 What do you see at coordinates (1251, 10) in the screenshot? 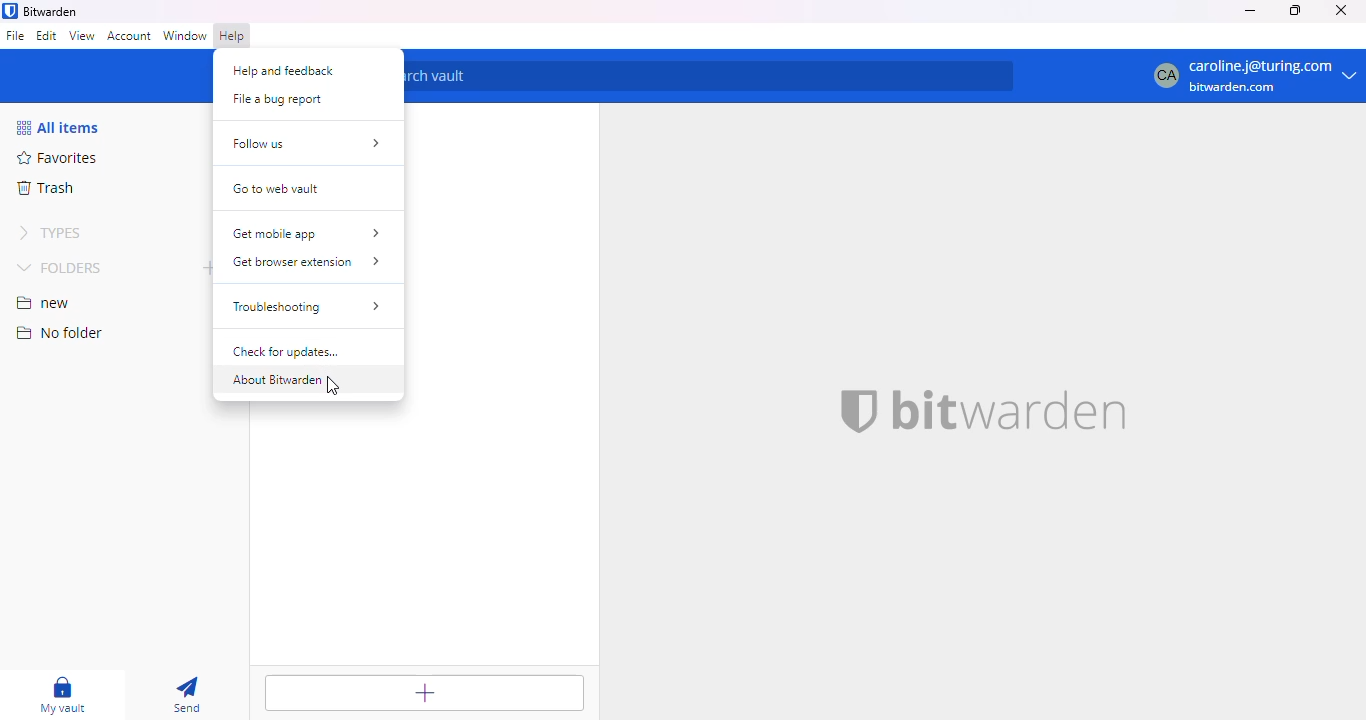
I see `minimize` at bounding box center [1251, 10].